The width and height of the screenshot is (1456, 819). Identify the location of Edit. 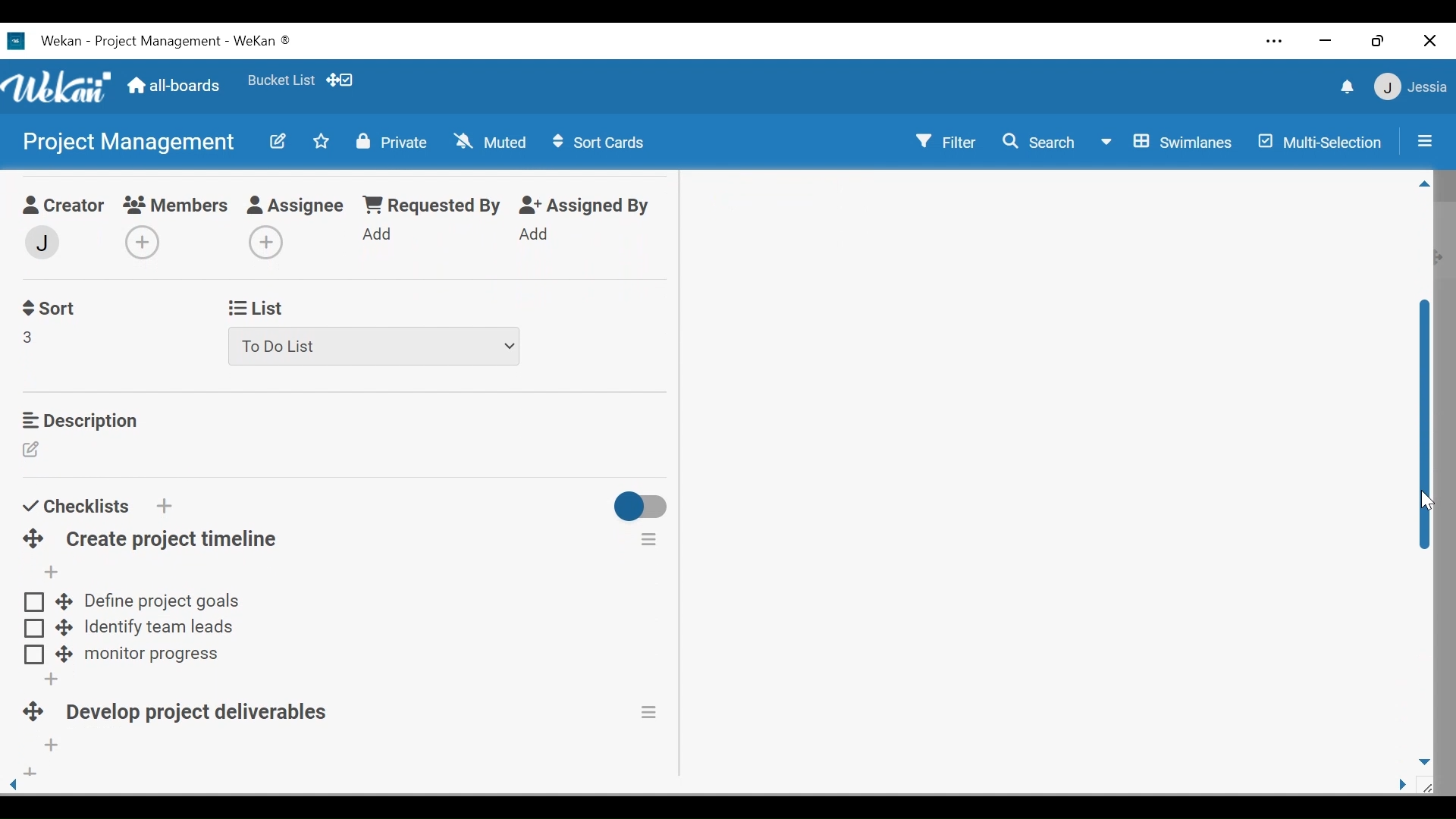
(33, 451).